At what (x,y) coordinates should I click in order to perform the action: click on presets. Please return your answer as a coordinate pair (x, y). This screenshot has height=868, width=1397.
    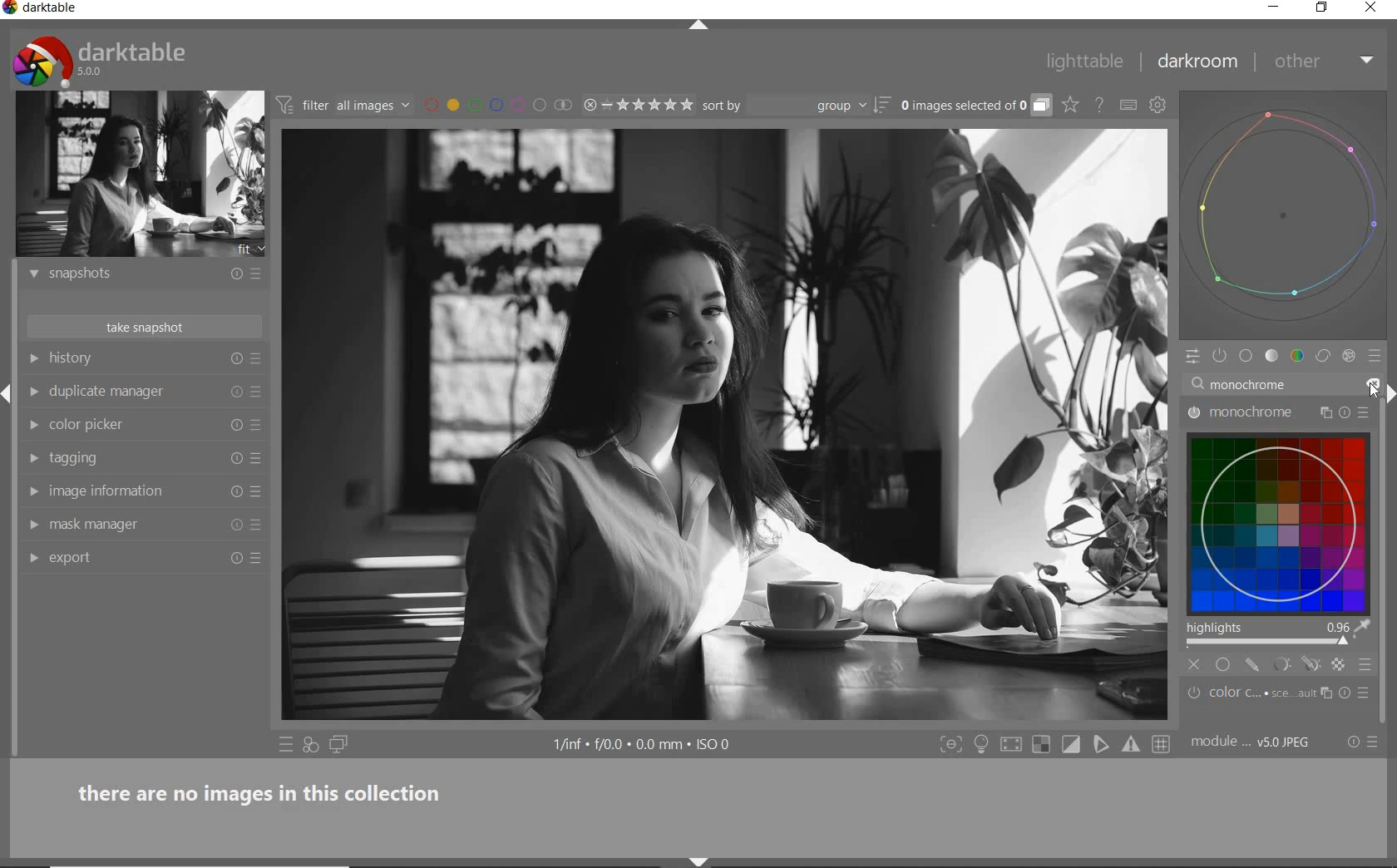
    Looking at the image, I should click on (1377, 357).